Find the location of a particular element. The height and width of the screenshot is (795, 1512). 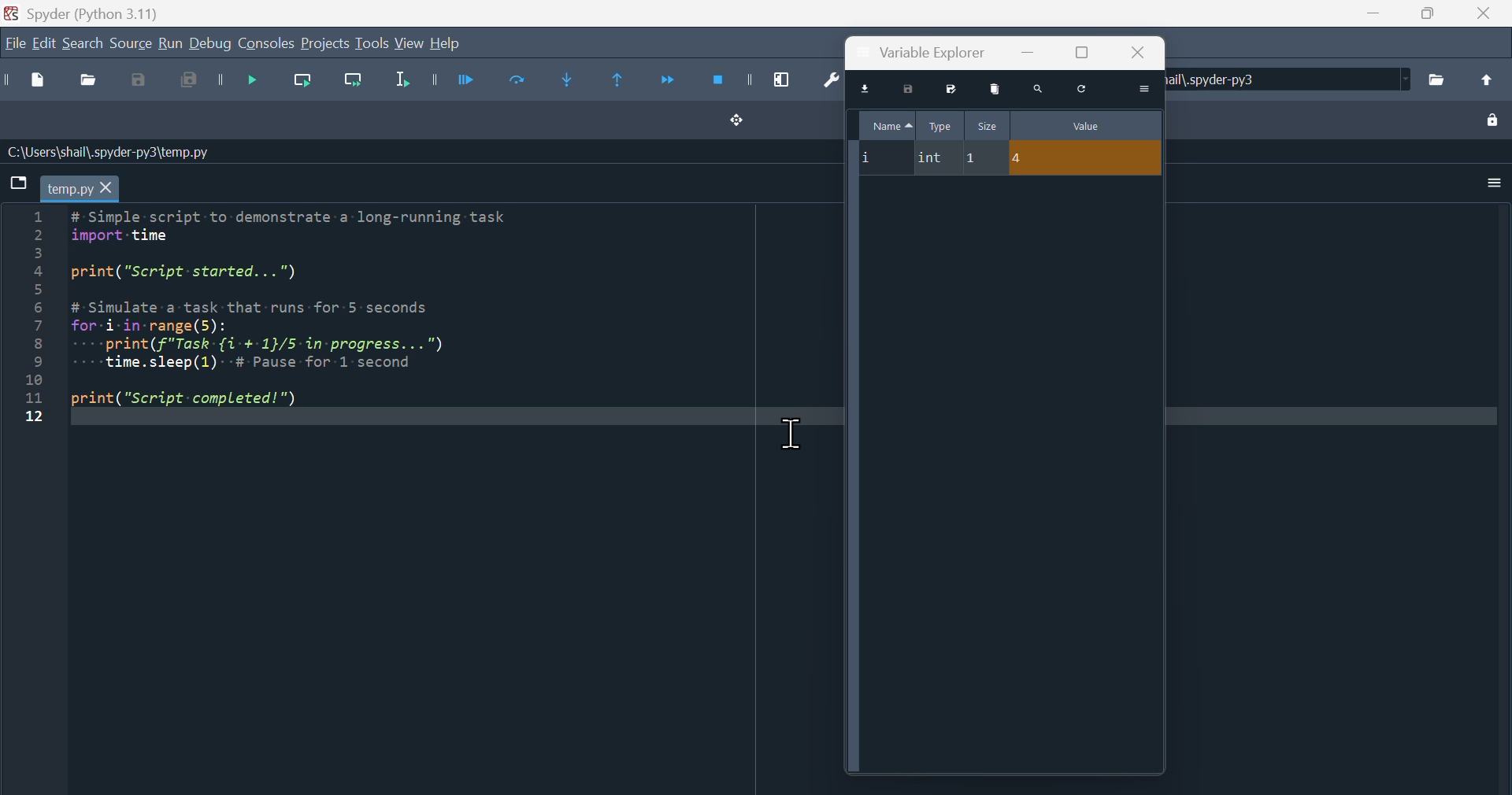

Projects is located at coordinates (325, 44).